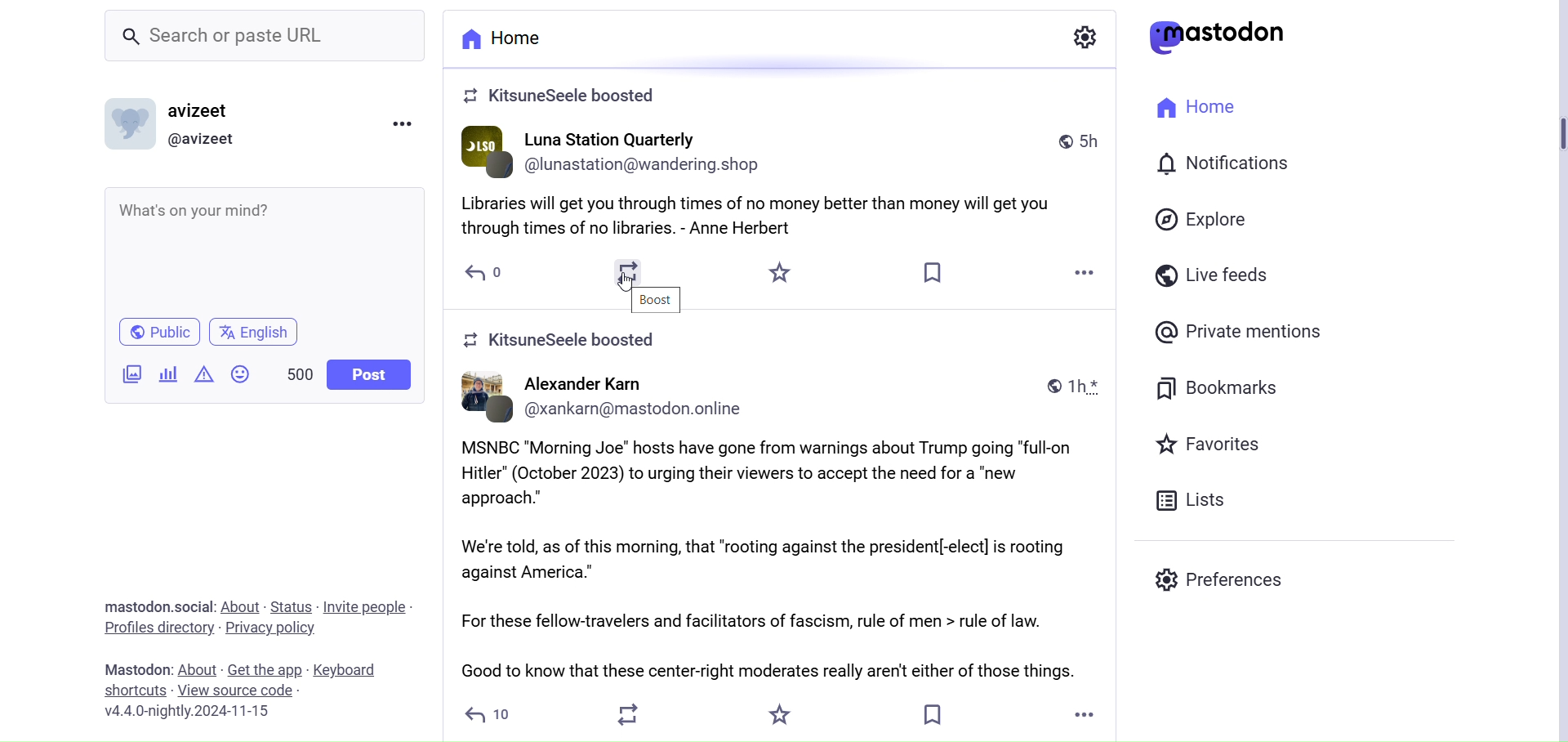 The image size is (1568, 742). What do you see at coordinates (136, 691) in the screenshot?
I see `Shortcuts` at bounding box center [136, 691].